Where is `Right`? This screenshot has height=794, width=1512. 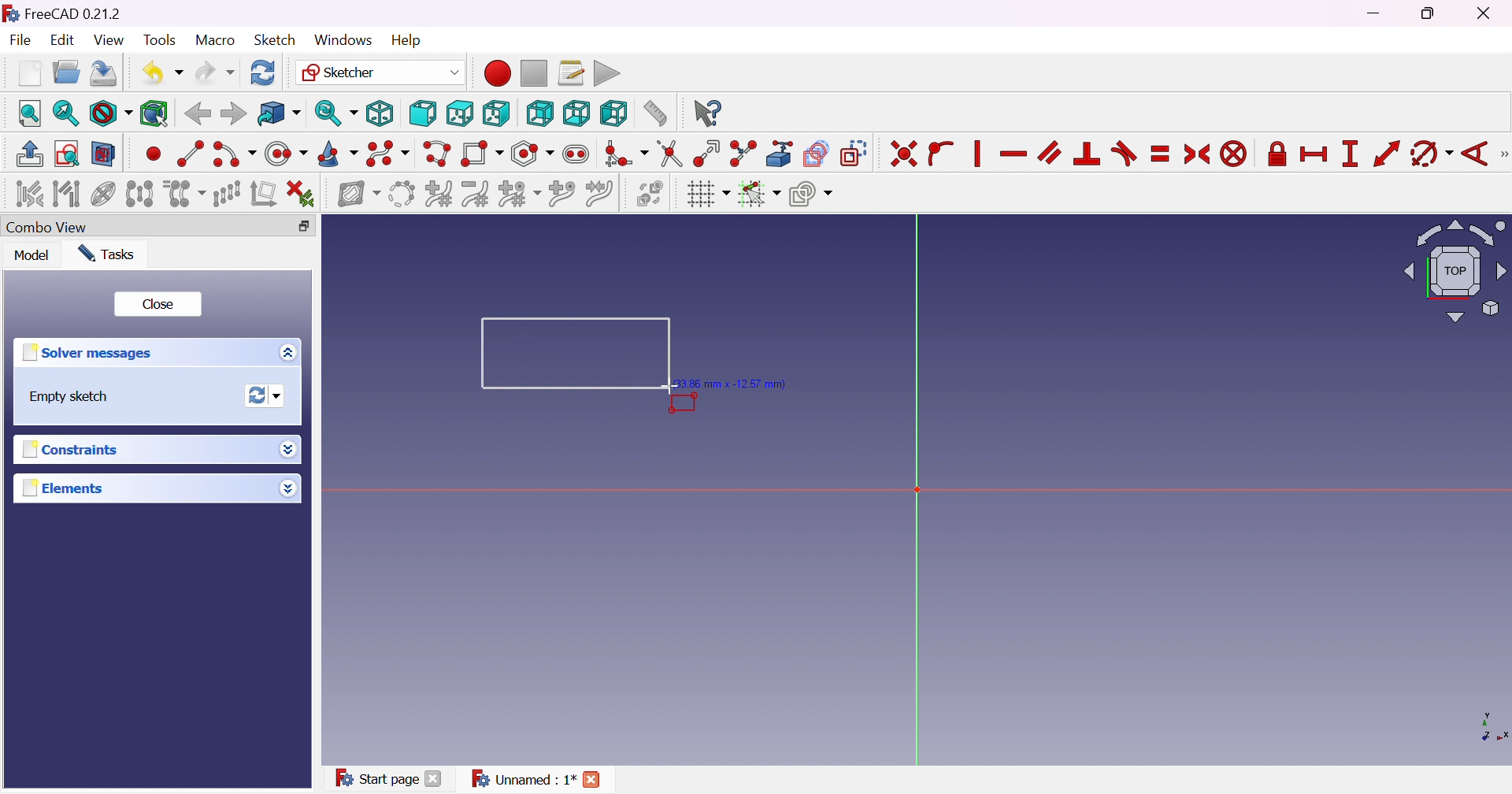
Right is located at coordinates (495, 113).